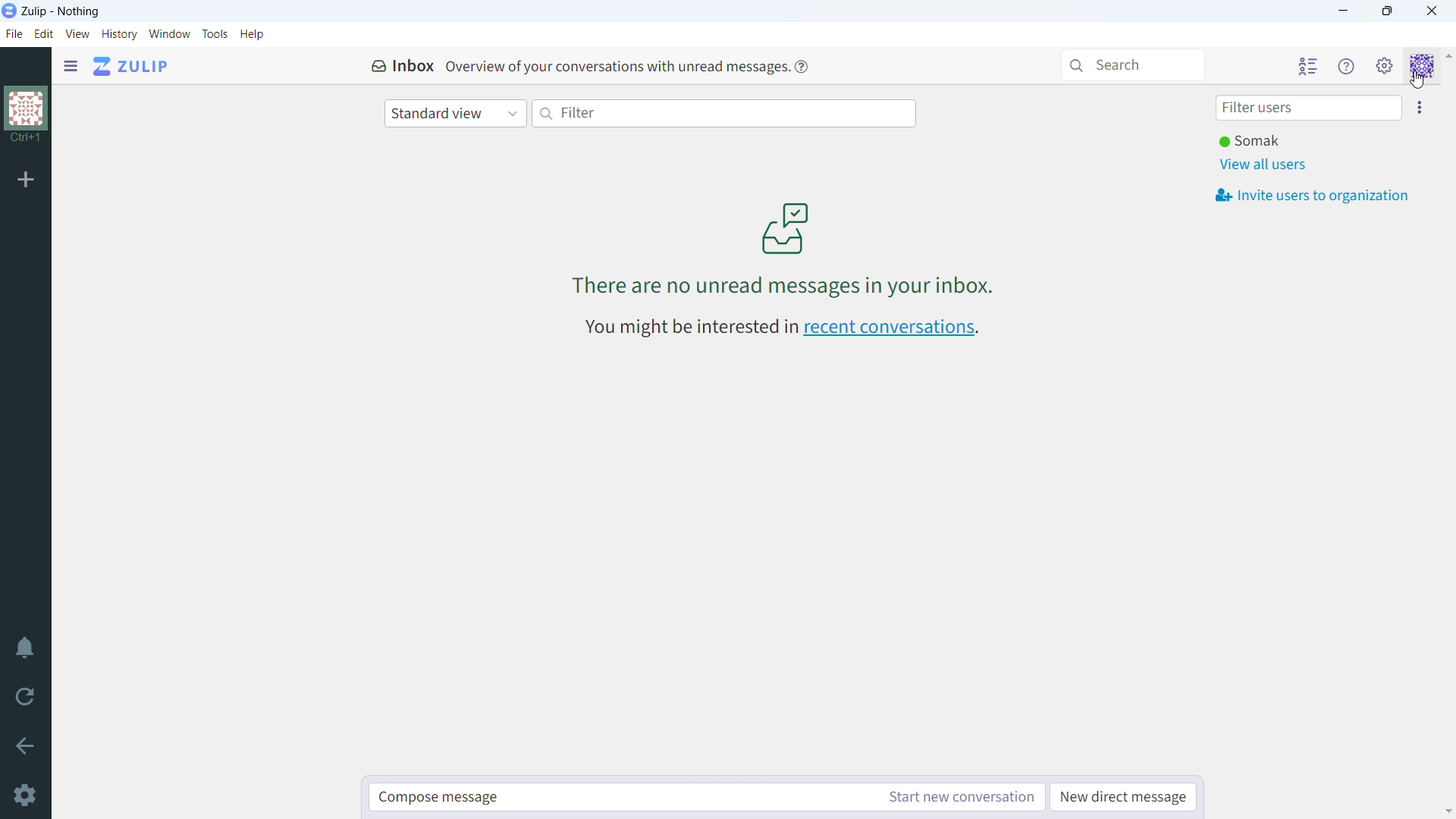 The height and width of the screenshot is (819, 1456). I want to click on filter, so click(725, 114).